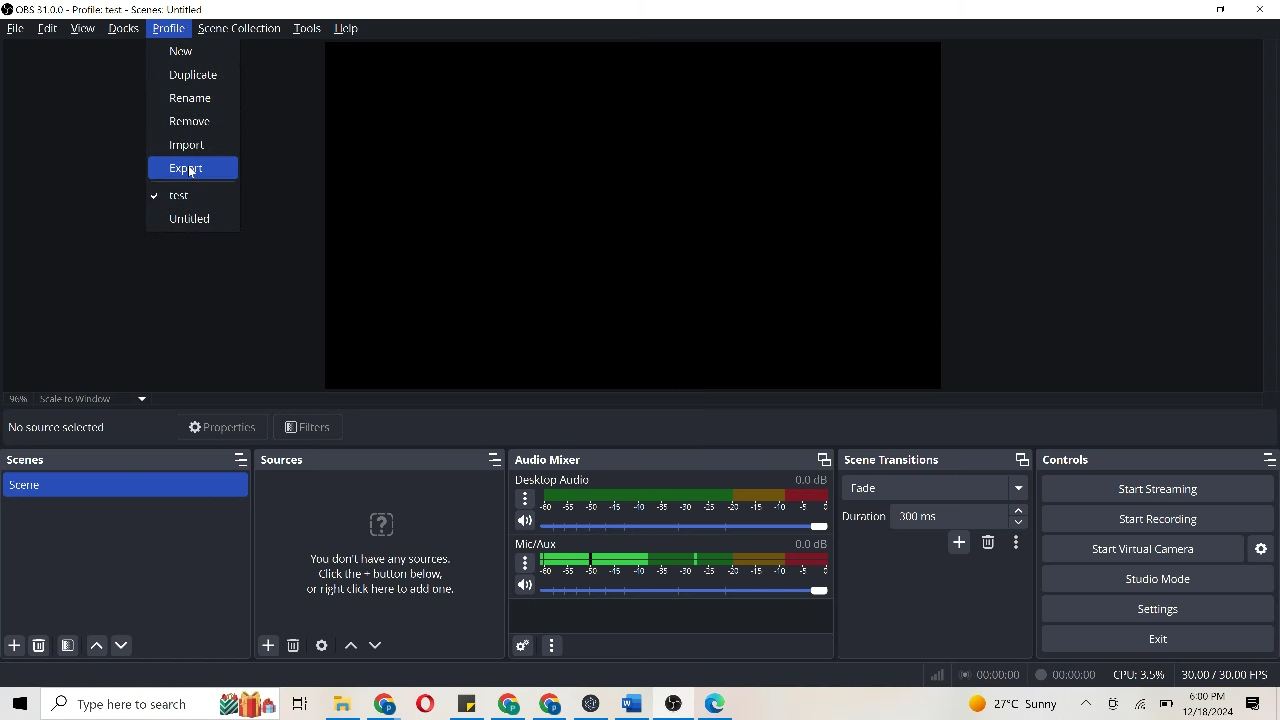 Image resolution: width=1280 pixels, height=720 pixels. I want to click on chrome icon, so click(533, 704).